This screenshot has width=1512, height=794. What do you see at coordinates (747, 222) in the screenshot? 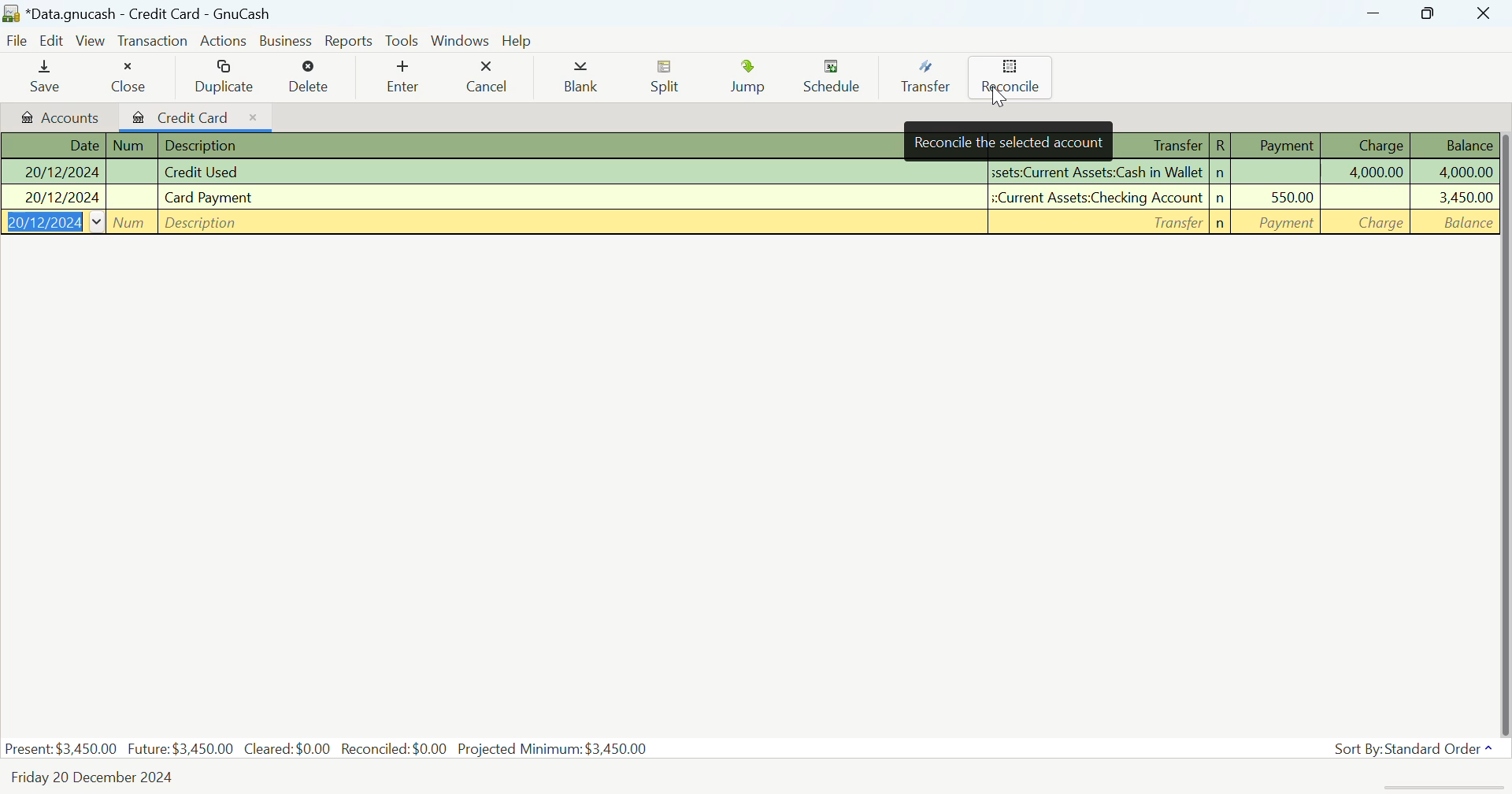
I see `New Transaction Field` at bounding box center [747, 222].